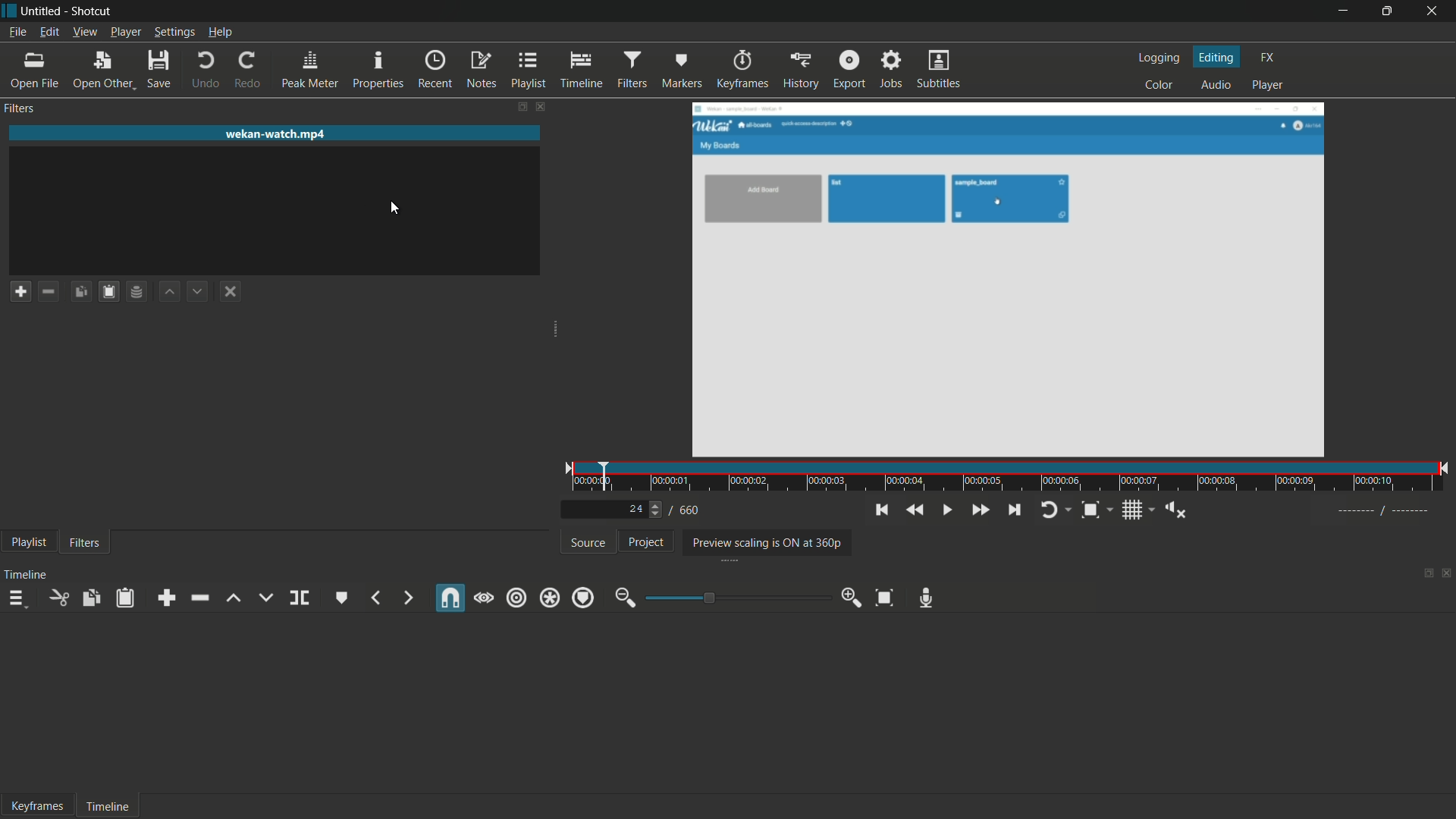  What do you see at coordinates (170, 293) in the screenshot?
I see `move filter up` at bounding box center [170, 293].